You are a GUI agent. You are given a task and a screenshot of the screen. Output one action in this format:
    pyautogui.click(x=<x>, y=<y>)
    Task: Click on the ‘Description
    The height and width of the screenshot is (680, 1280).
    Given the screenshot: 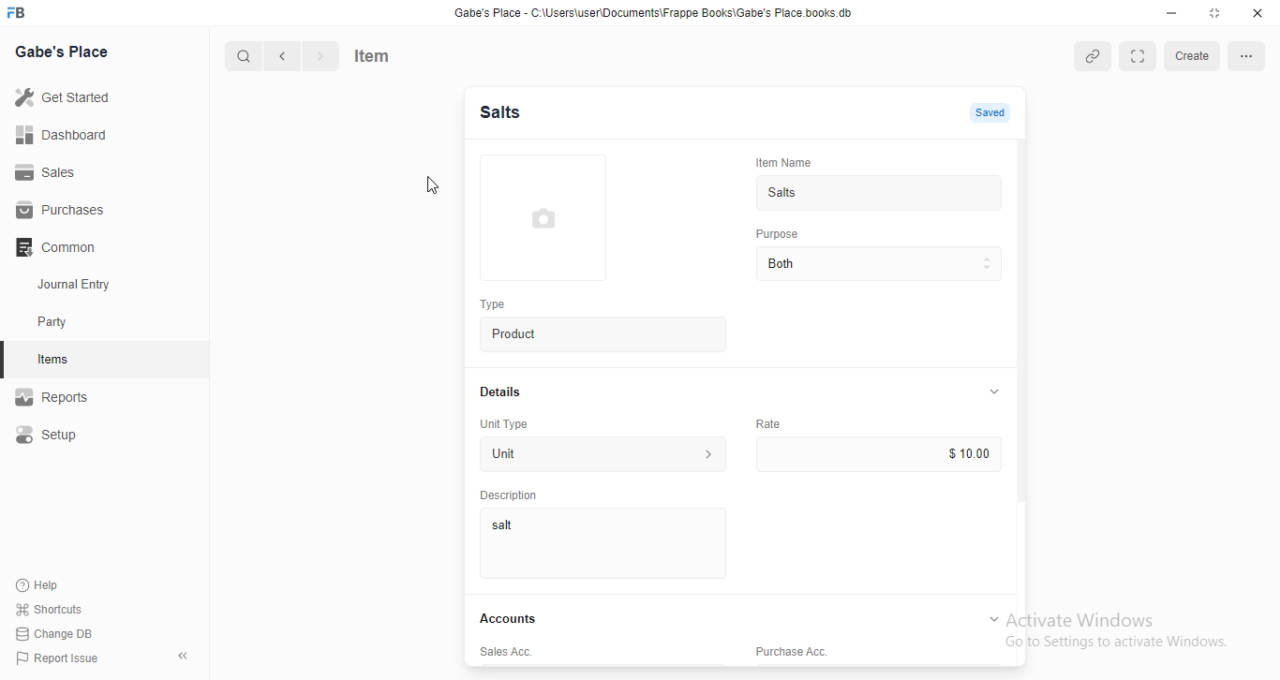 What is the action you would take?
    pyautogui.click(x=513, y=495)
    